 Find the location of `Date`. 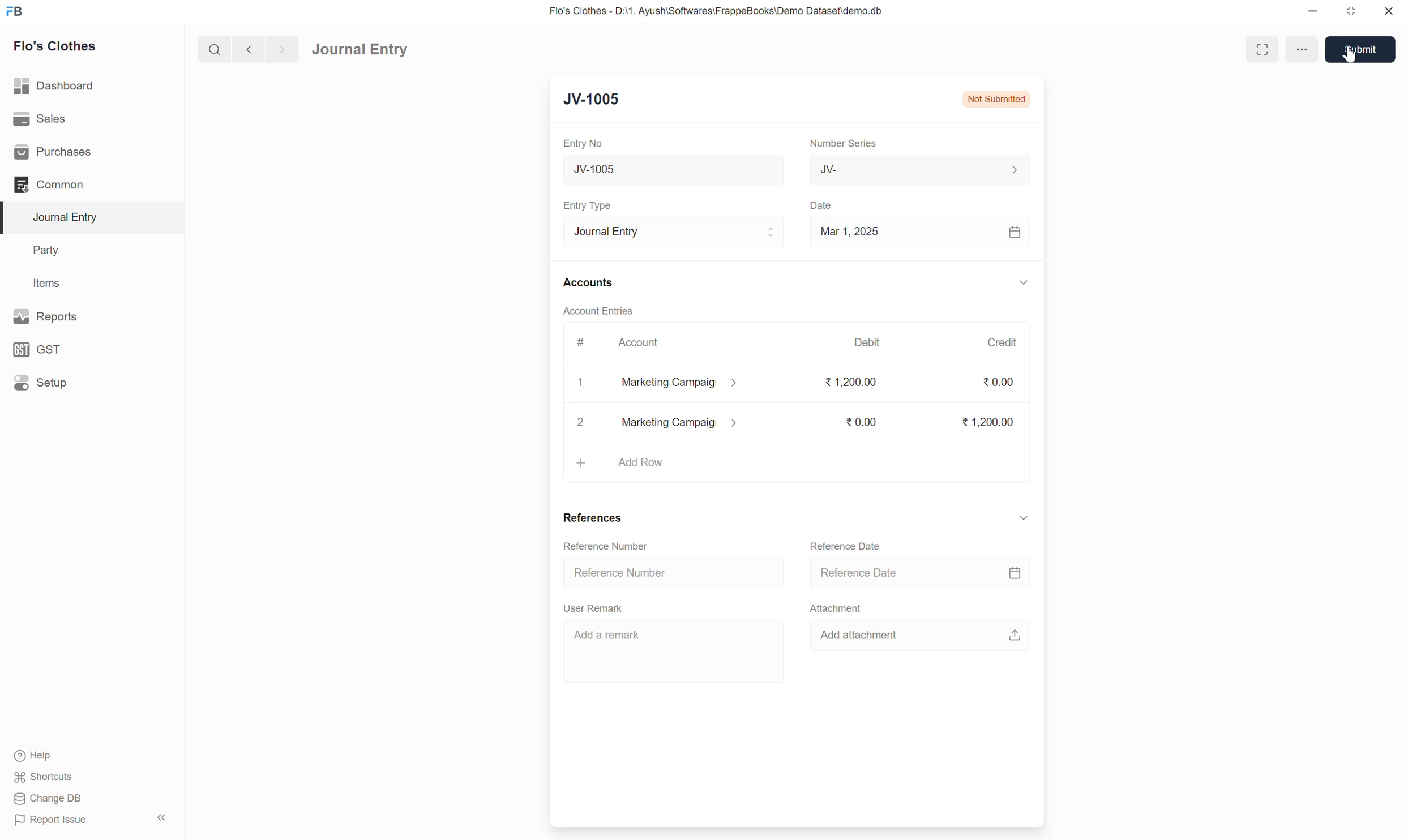

Date is located at coordinates (824, 206).